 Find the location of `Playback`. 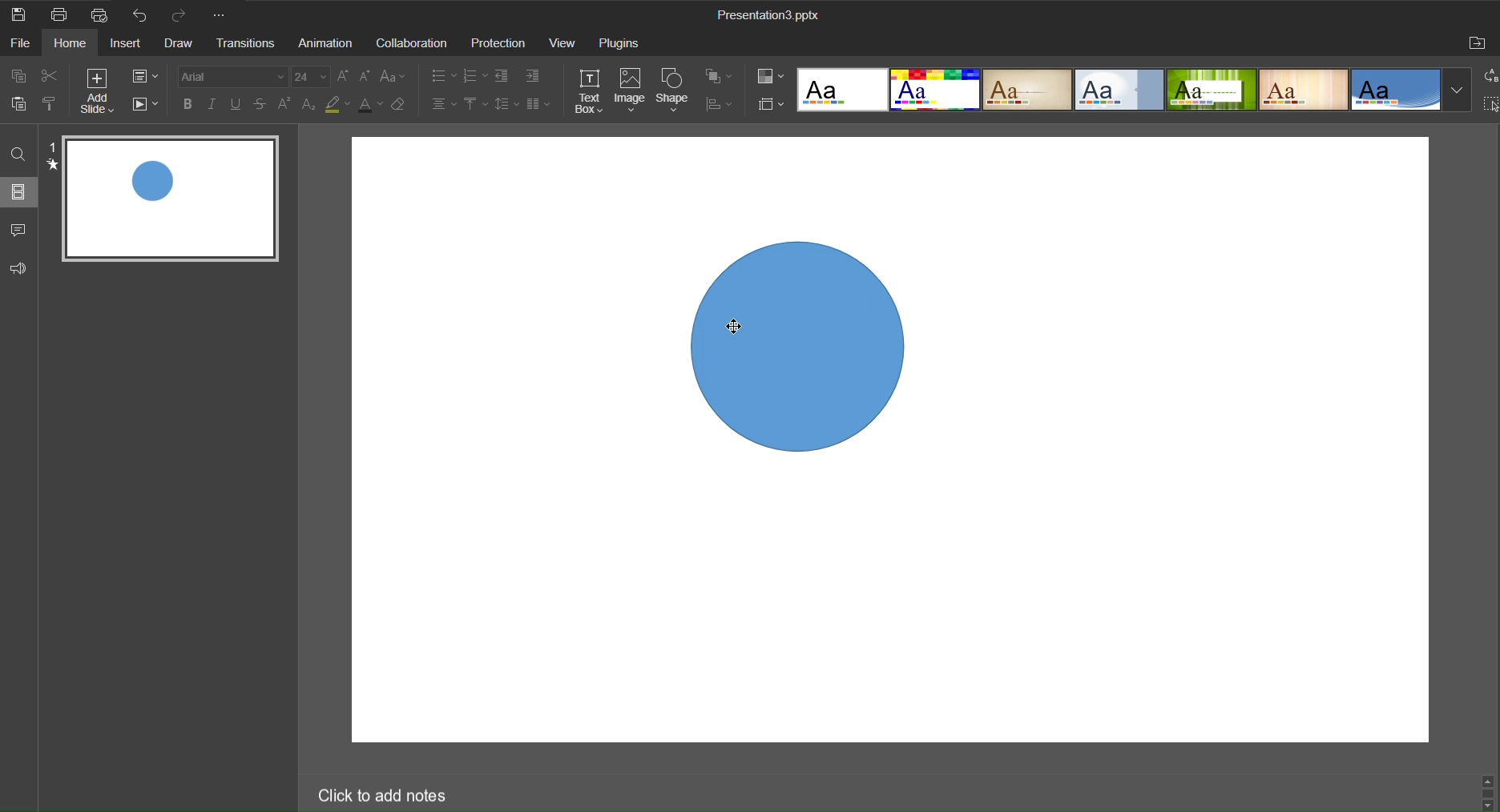

Playback is located at coordinates (147, 107).